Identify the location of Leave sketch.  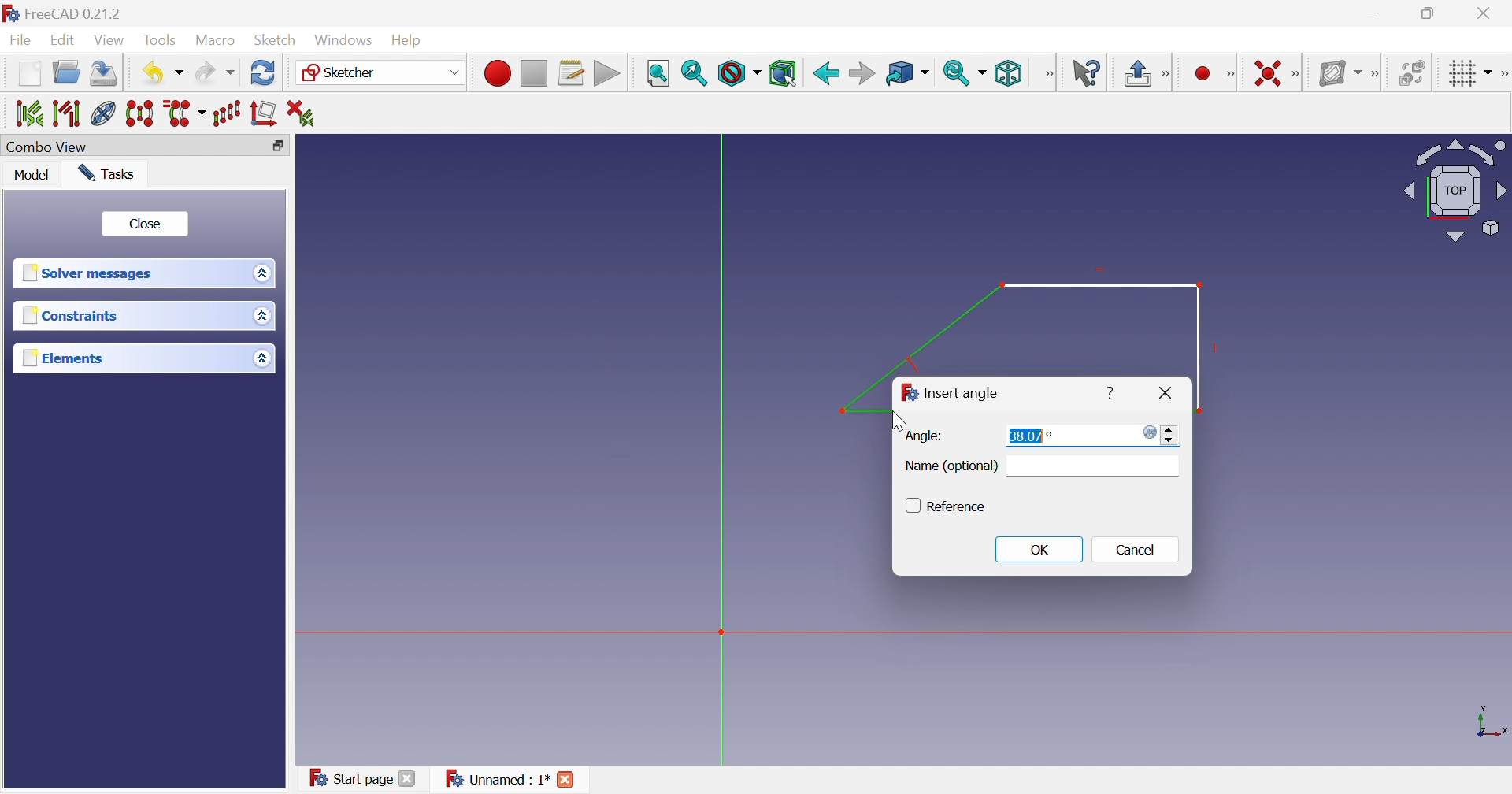
(1136, 75).